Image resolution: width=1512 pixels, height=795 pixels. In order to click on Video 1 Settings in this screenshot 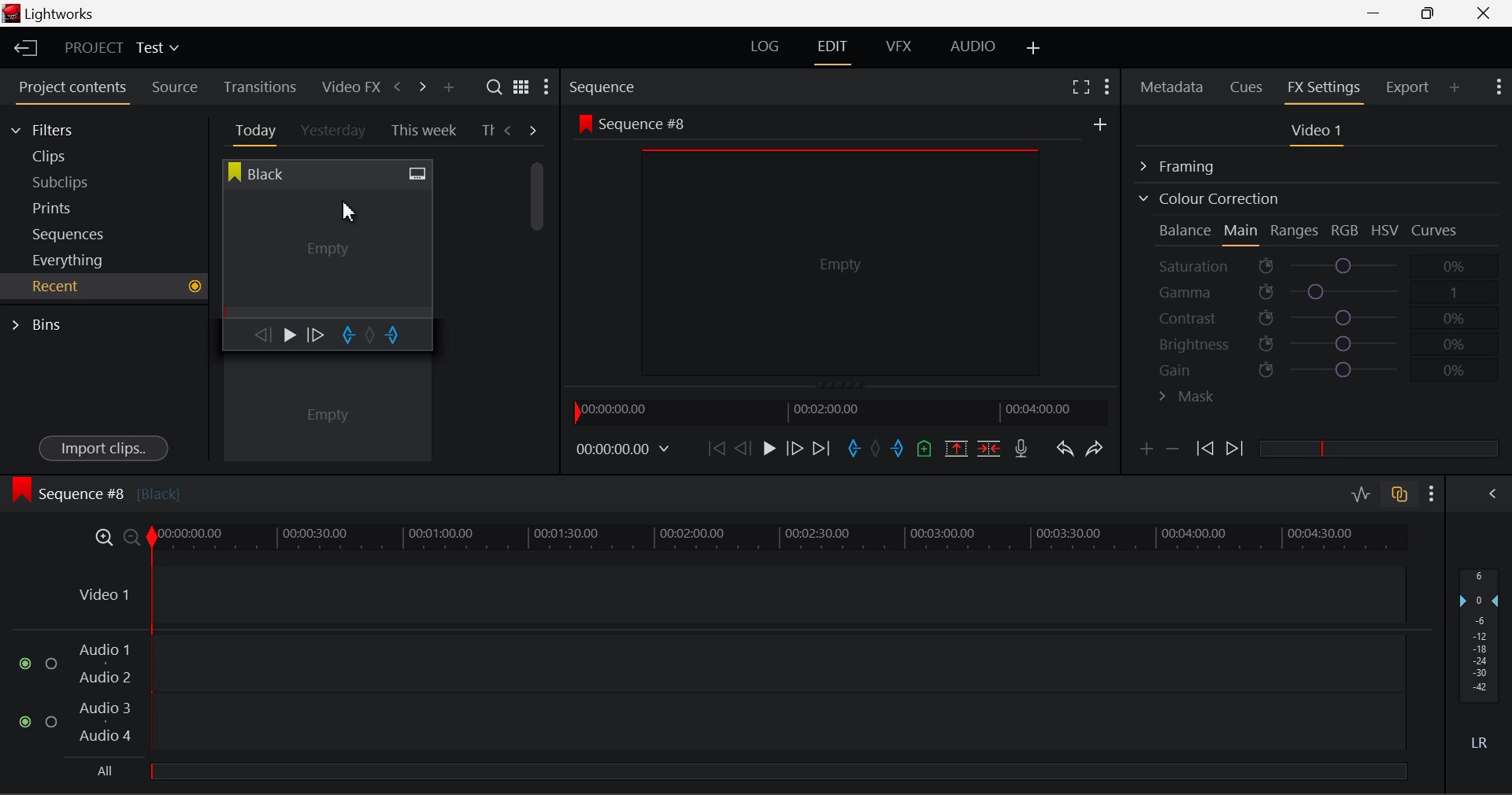, I will do `click(1319, 134)`.